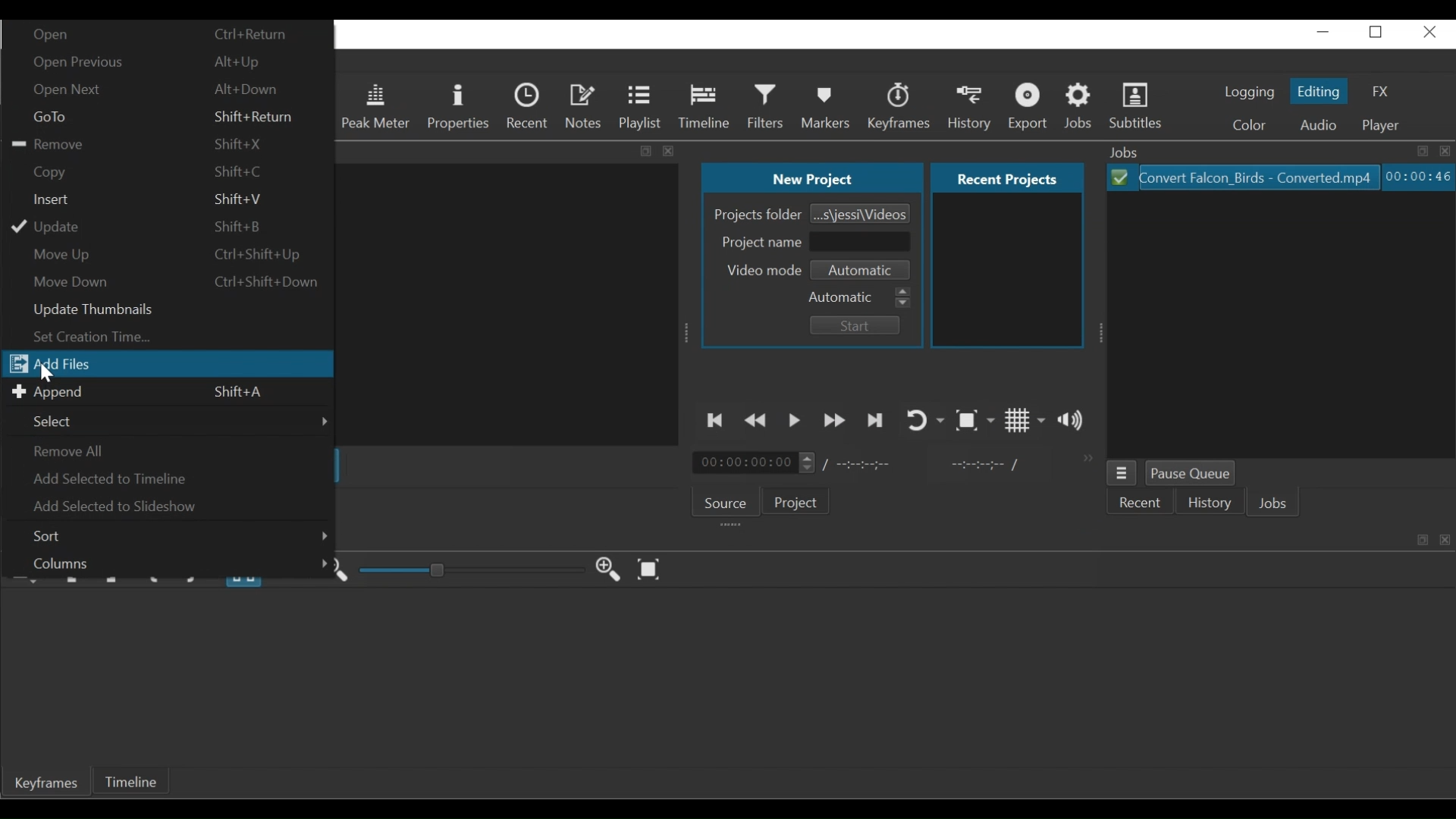  What do you see at coordinates (1250, 93) in the screenshot?
I see `logging` at bounding box center [1250, 93].